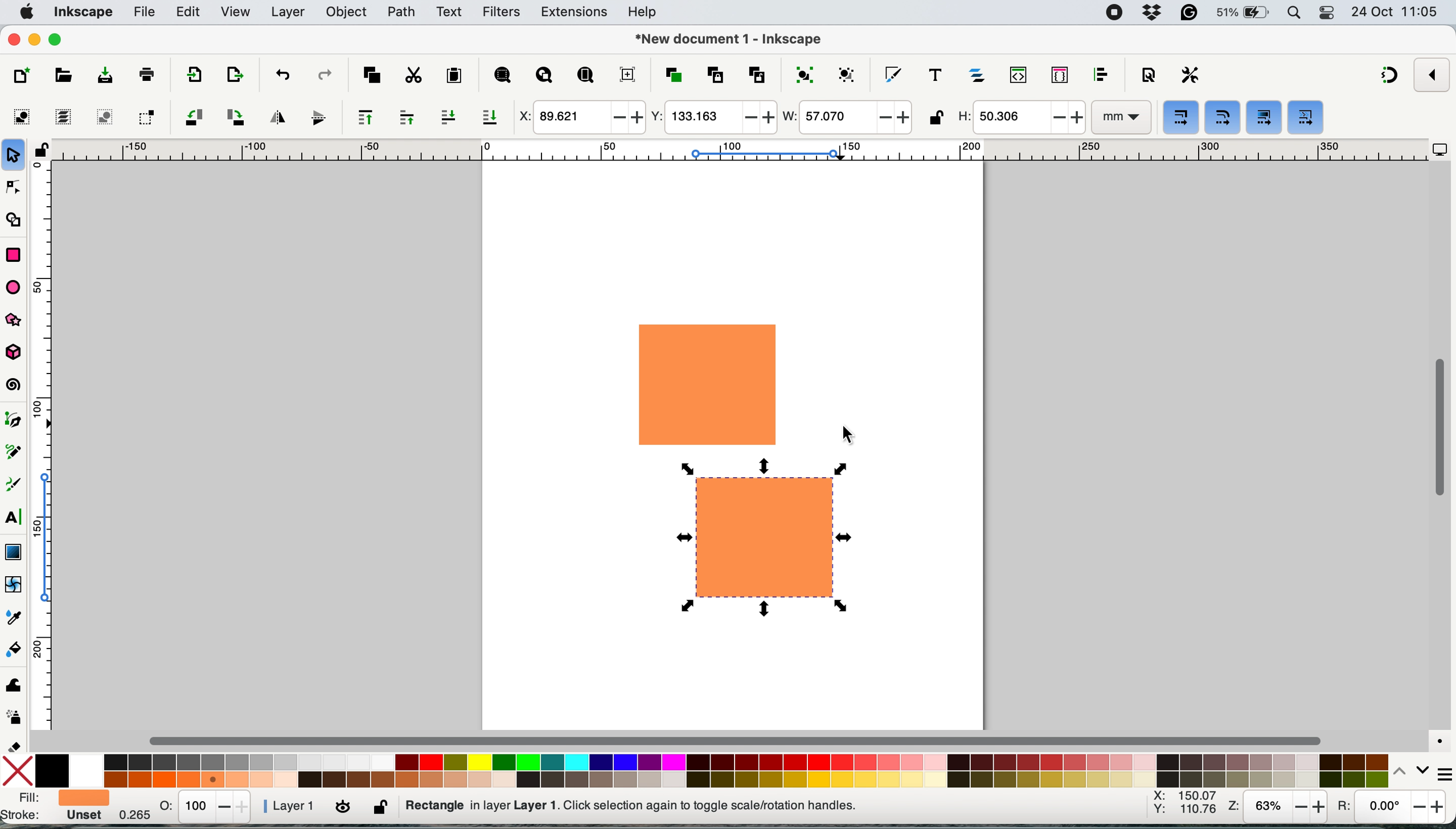 The width and height of the screenshot is (1456, 829). What do you see at coordinates (1119, 118) in the screenshot?
I see `mm` at bounding box center [1119, 118].